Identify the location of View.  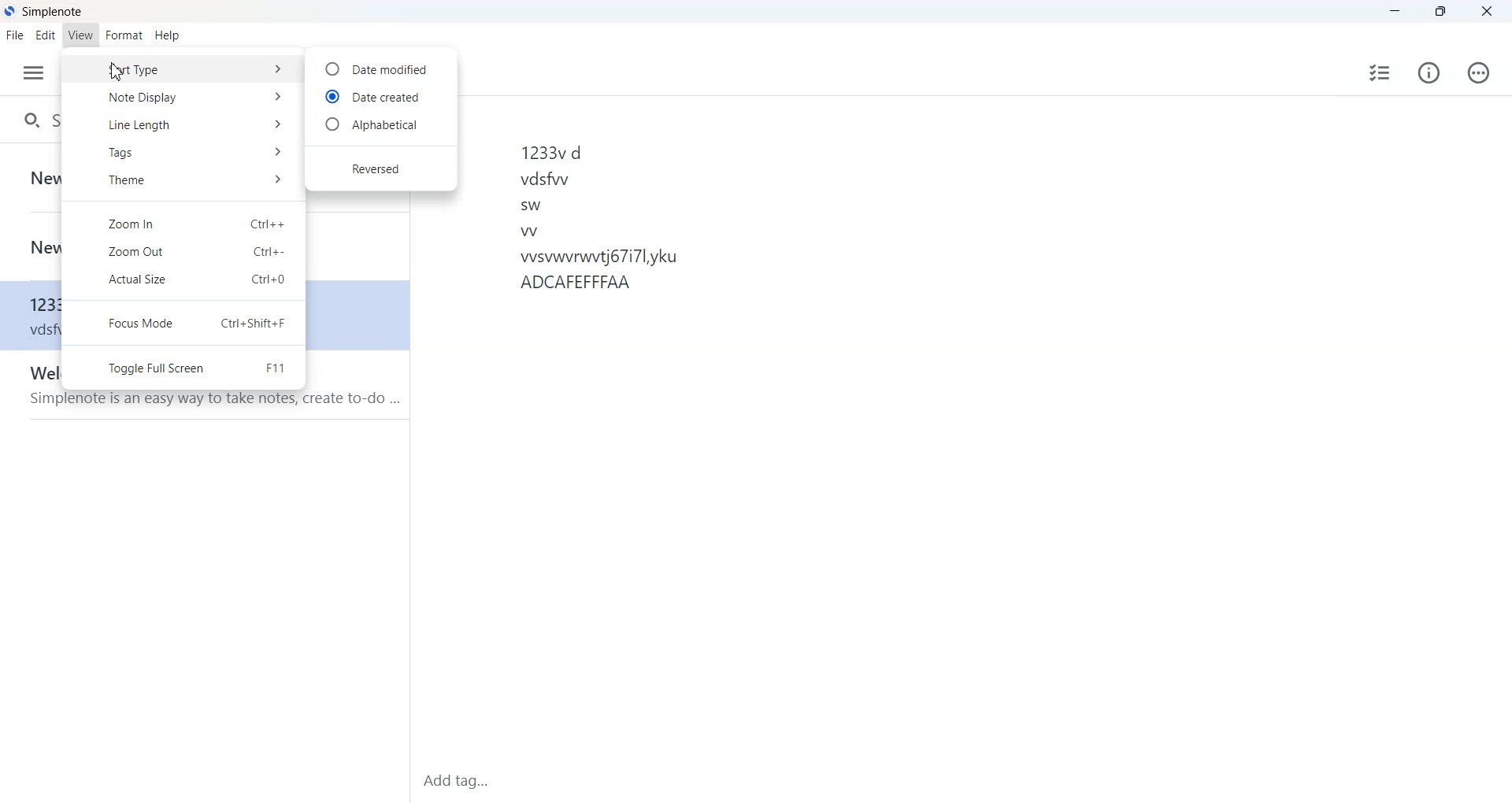
(81, 35).